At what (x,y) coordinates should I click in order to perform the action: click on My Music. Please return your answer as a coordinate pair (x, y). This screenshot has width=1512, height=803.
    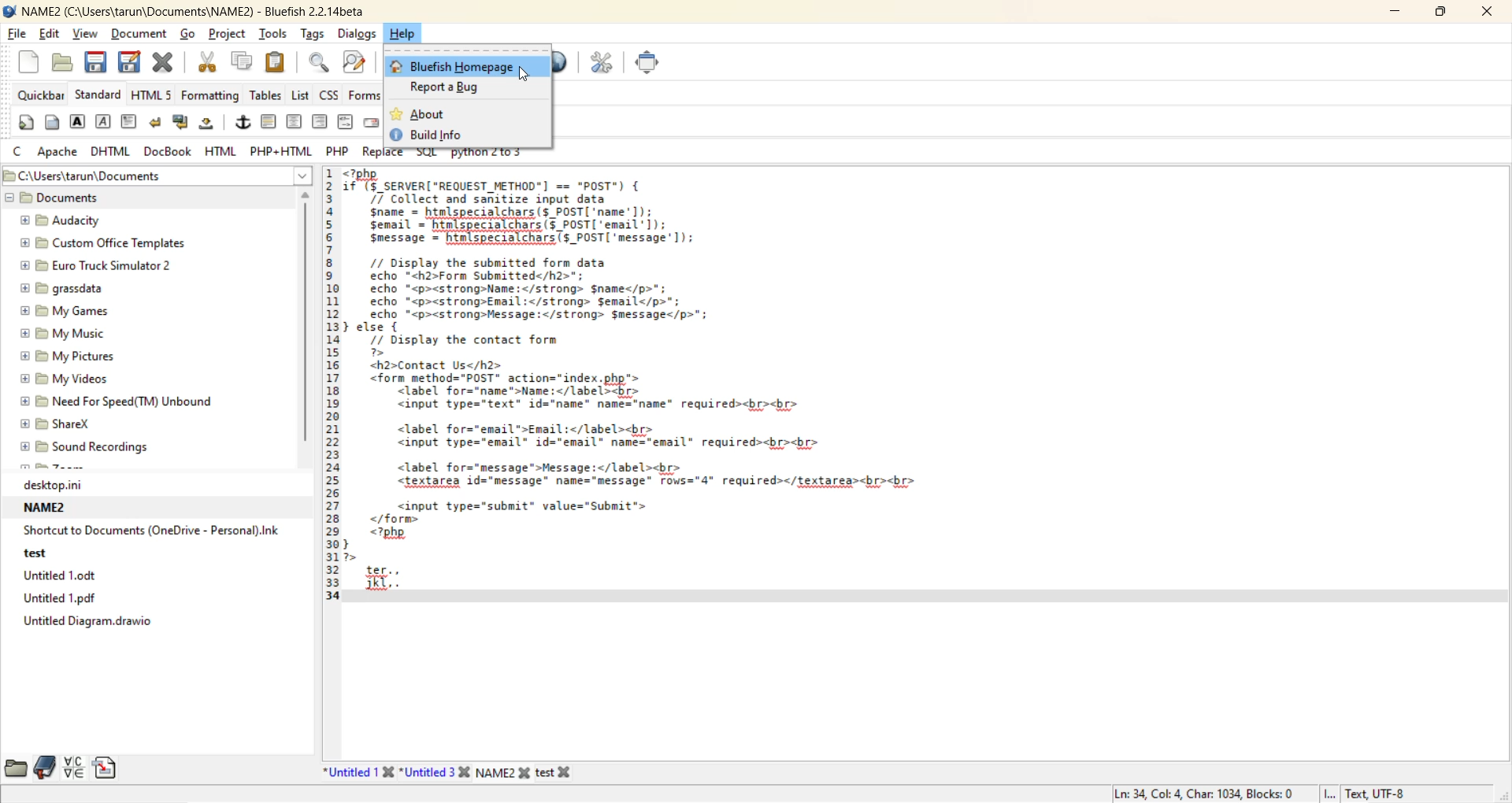
    Looking at the image, I should click on (54, 334).